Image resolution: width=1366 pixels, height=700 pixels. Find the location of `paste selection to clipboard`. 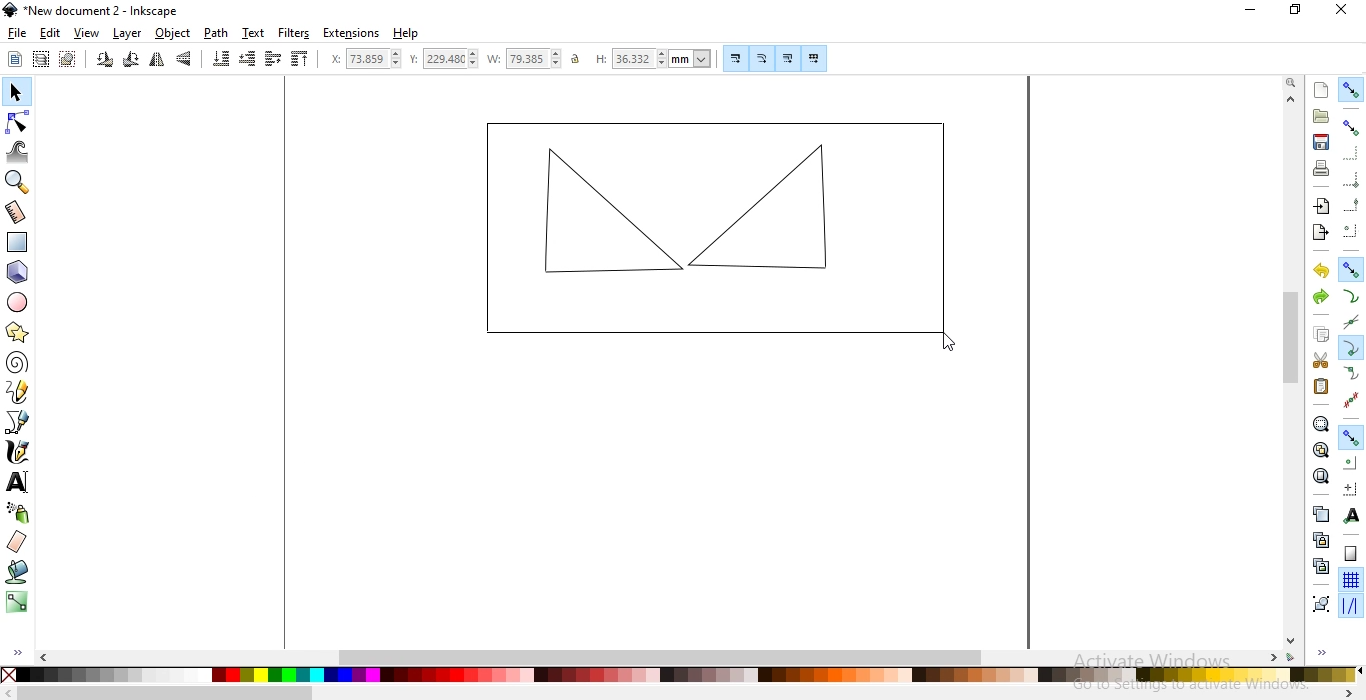

paste selection to clipboard is located at coordinates (1322, 386).